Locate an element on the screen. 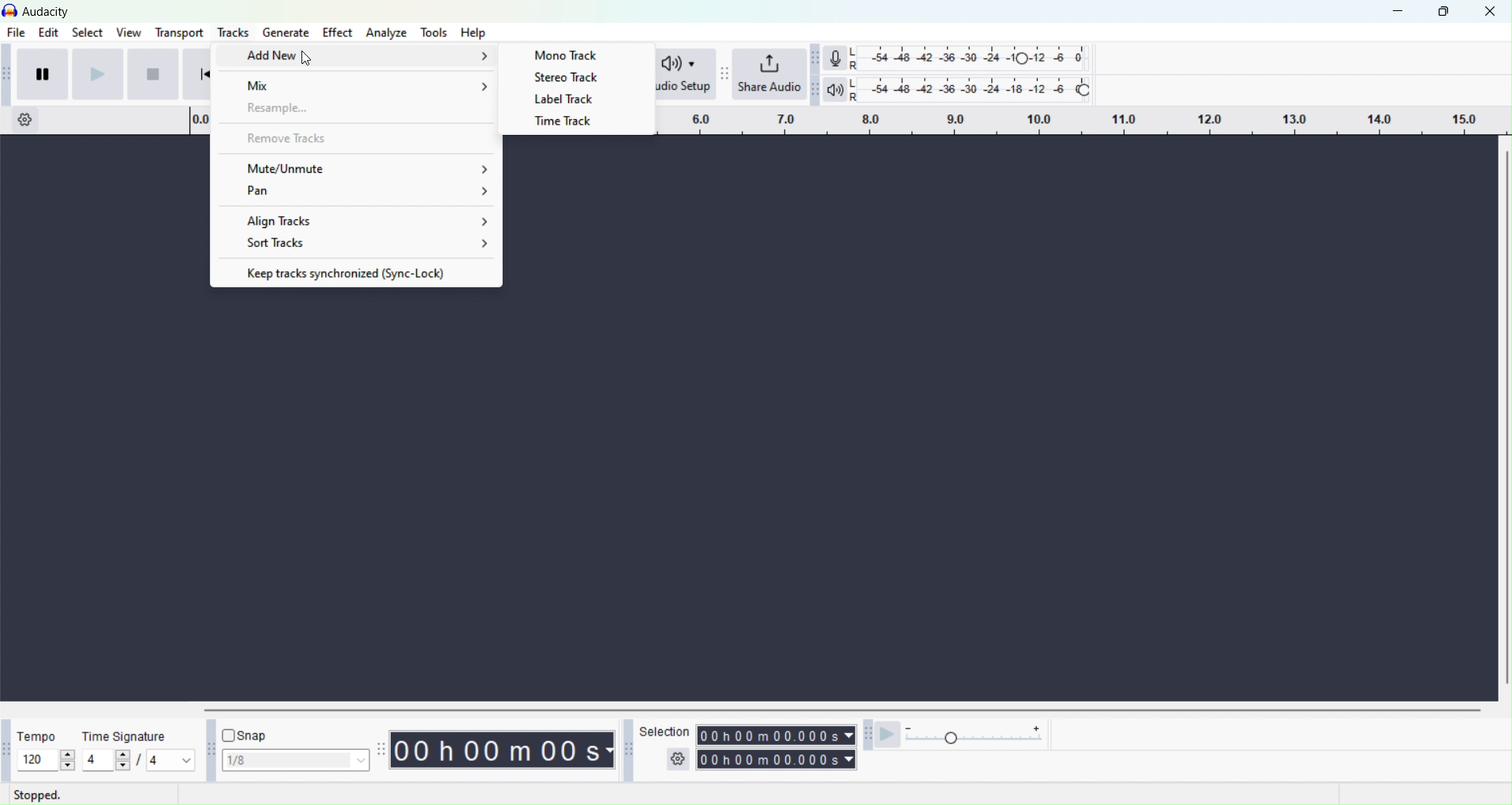 The width and height of the screenshot is (1512, 805). Playback level is located at coordinates (969, 89).